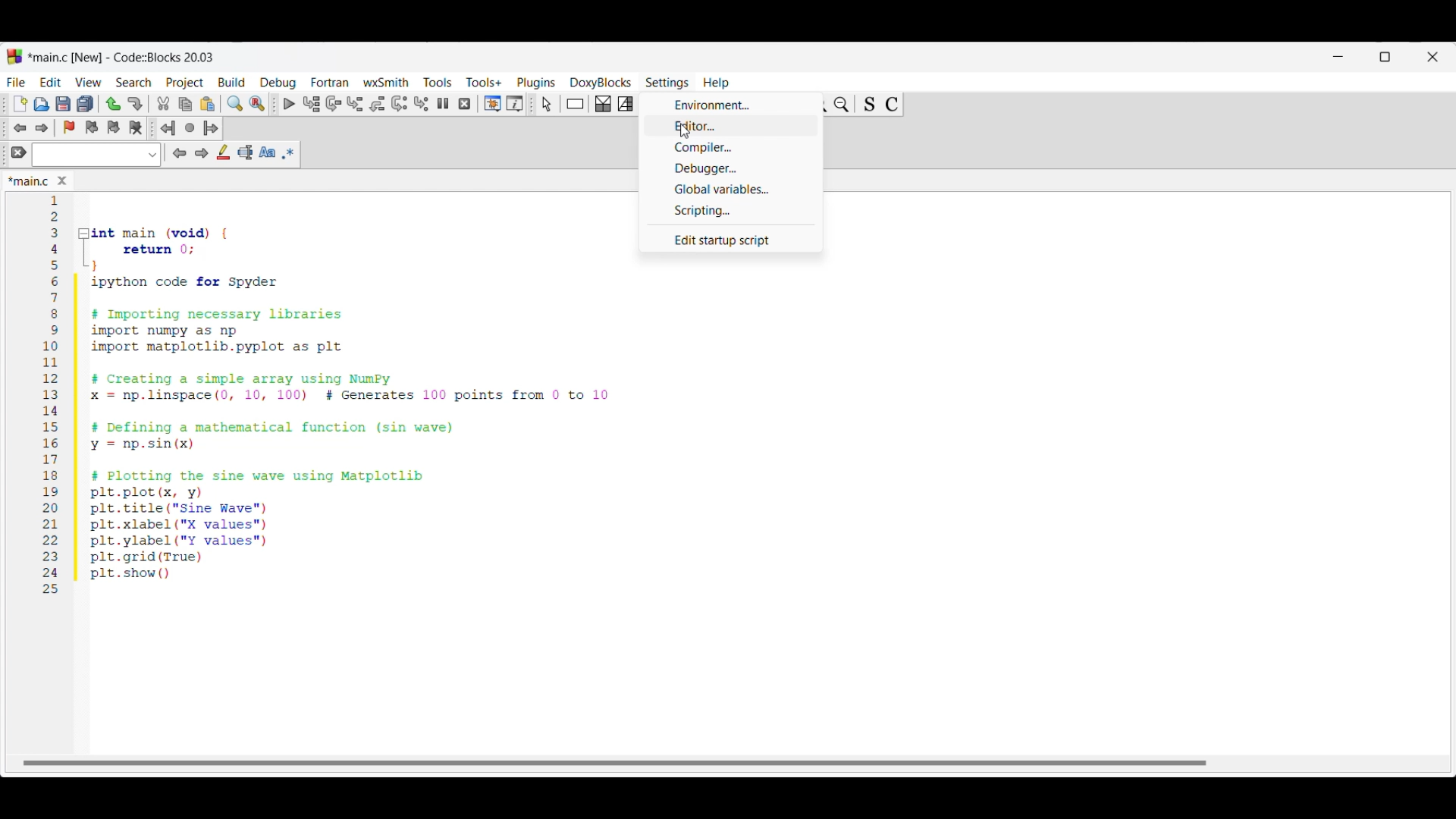 The height and width of the screenshot is (819, 1456). I want to click on Copy, so click(185, 105).